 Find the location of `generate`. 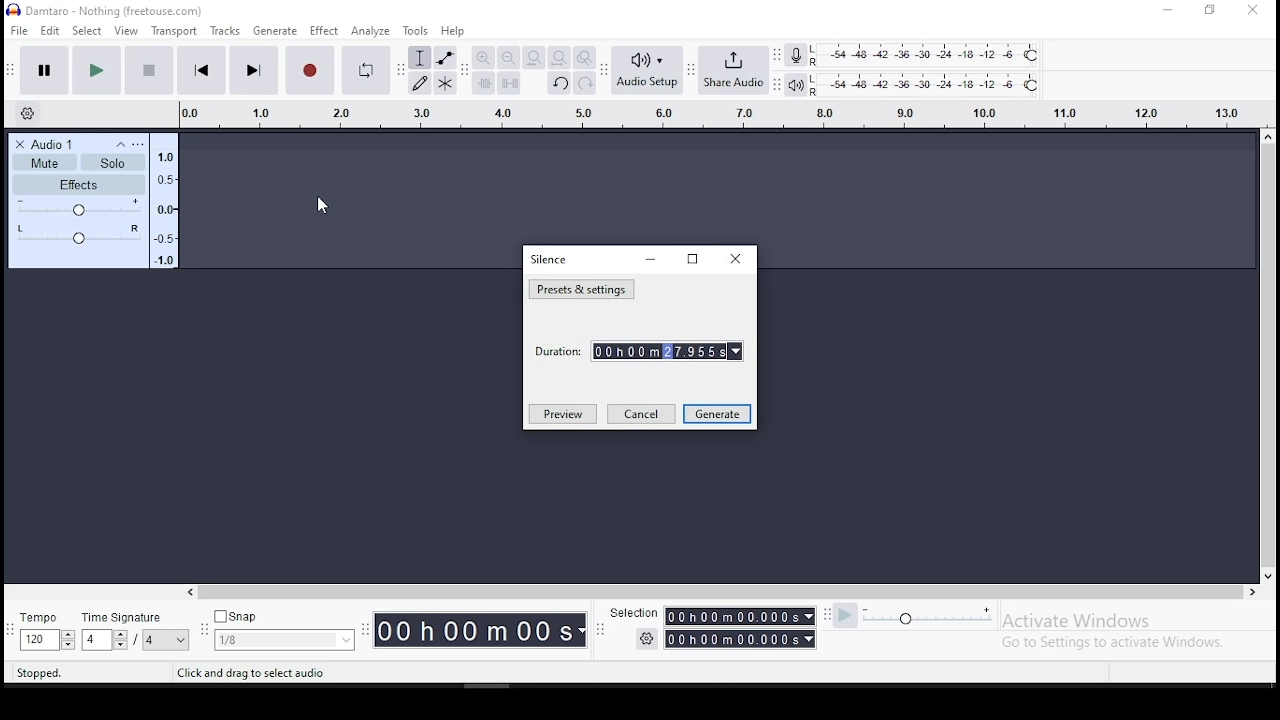

generate is located at coordinates (717, 414).